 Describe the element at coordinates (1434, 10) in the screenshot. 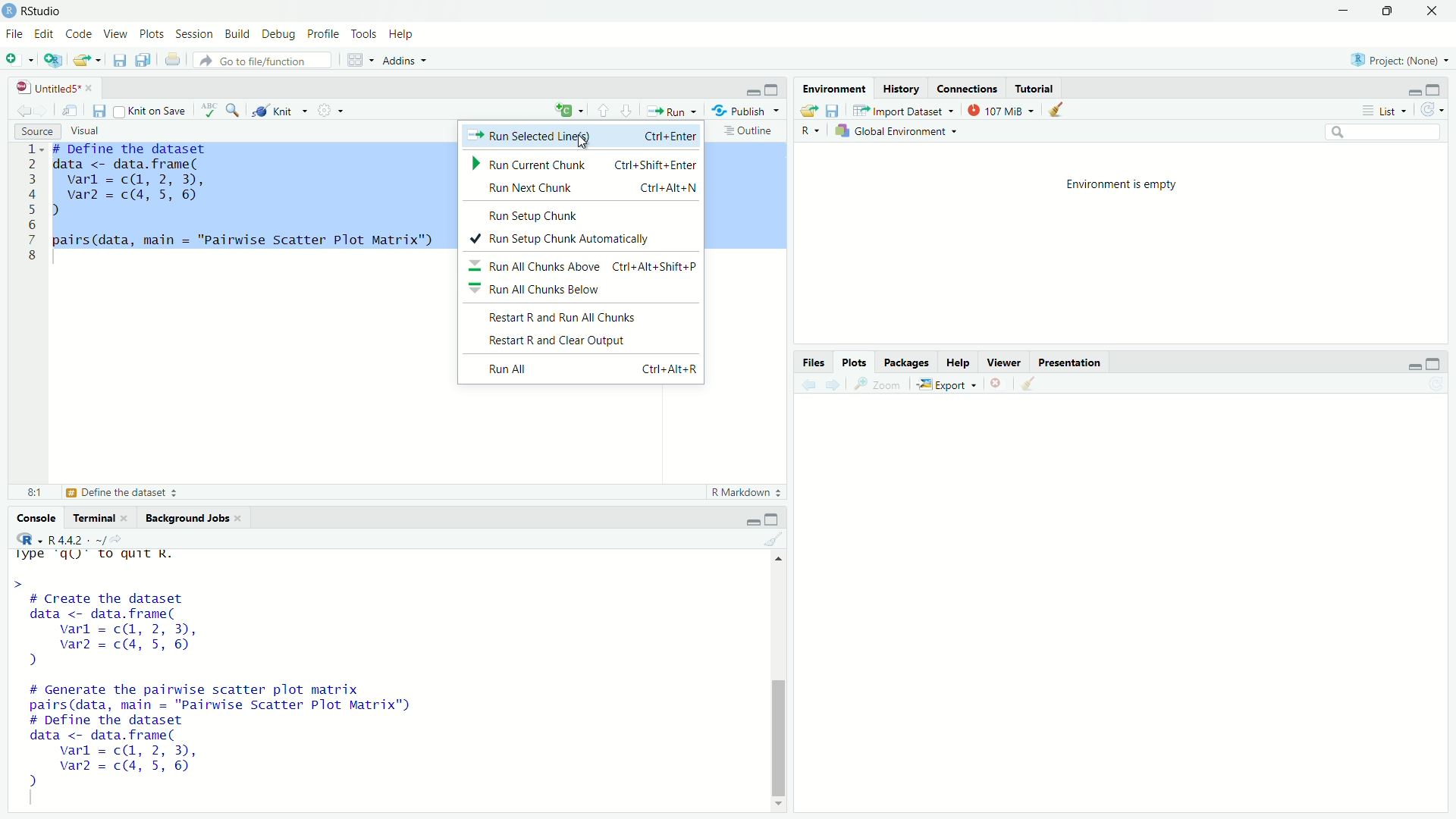

I see `Close` at that location.